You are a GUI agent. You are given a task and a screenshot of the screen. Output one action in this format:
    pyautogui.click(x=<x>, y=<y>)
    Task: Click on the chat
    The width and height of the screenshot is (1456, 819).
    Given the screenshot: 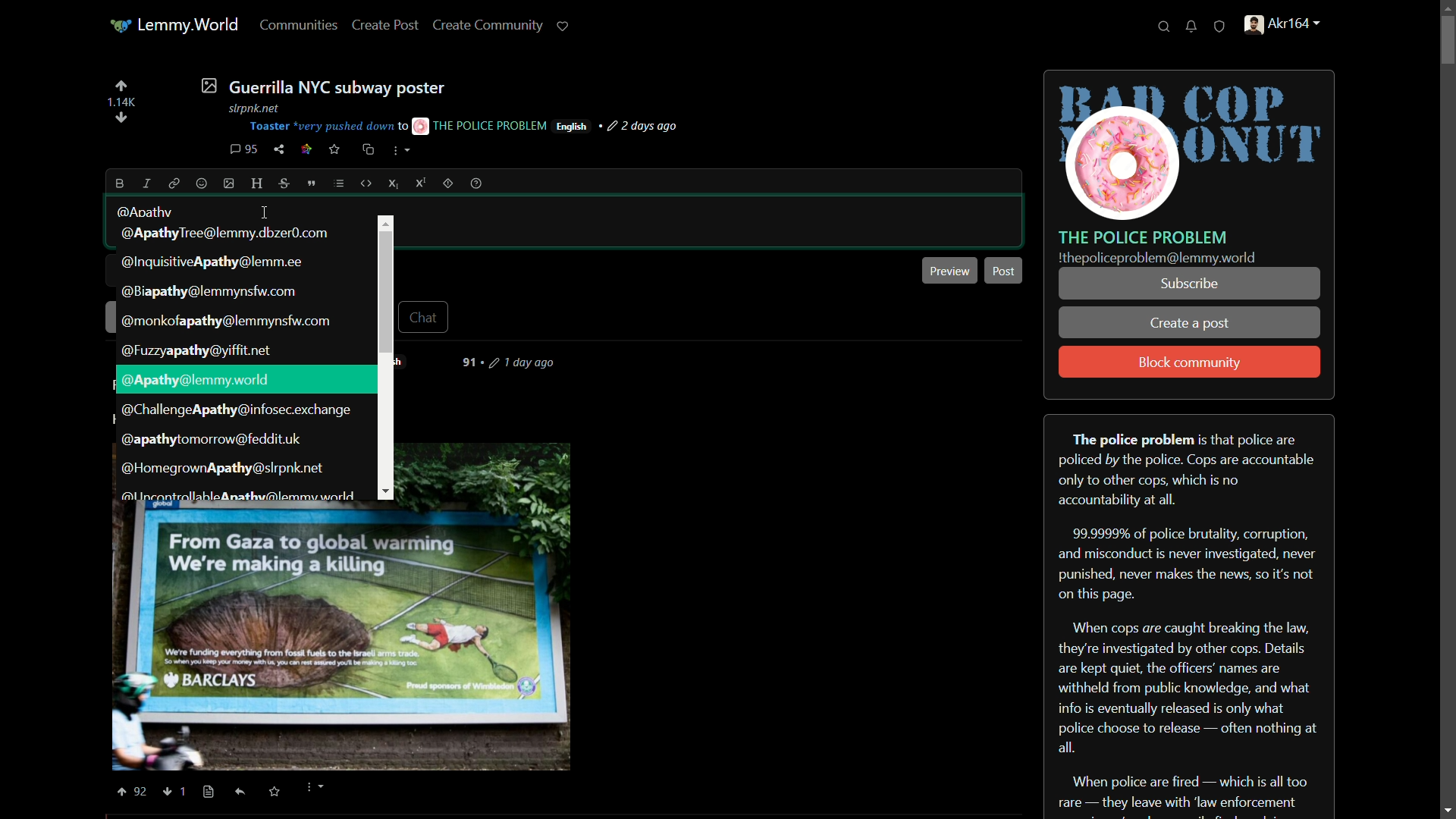 What is the action you would take?
    pyautogui.click(x=426, y=316)
    